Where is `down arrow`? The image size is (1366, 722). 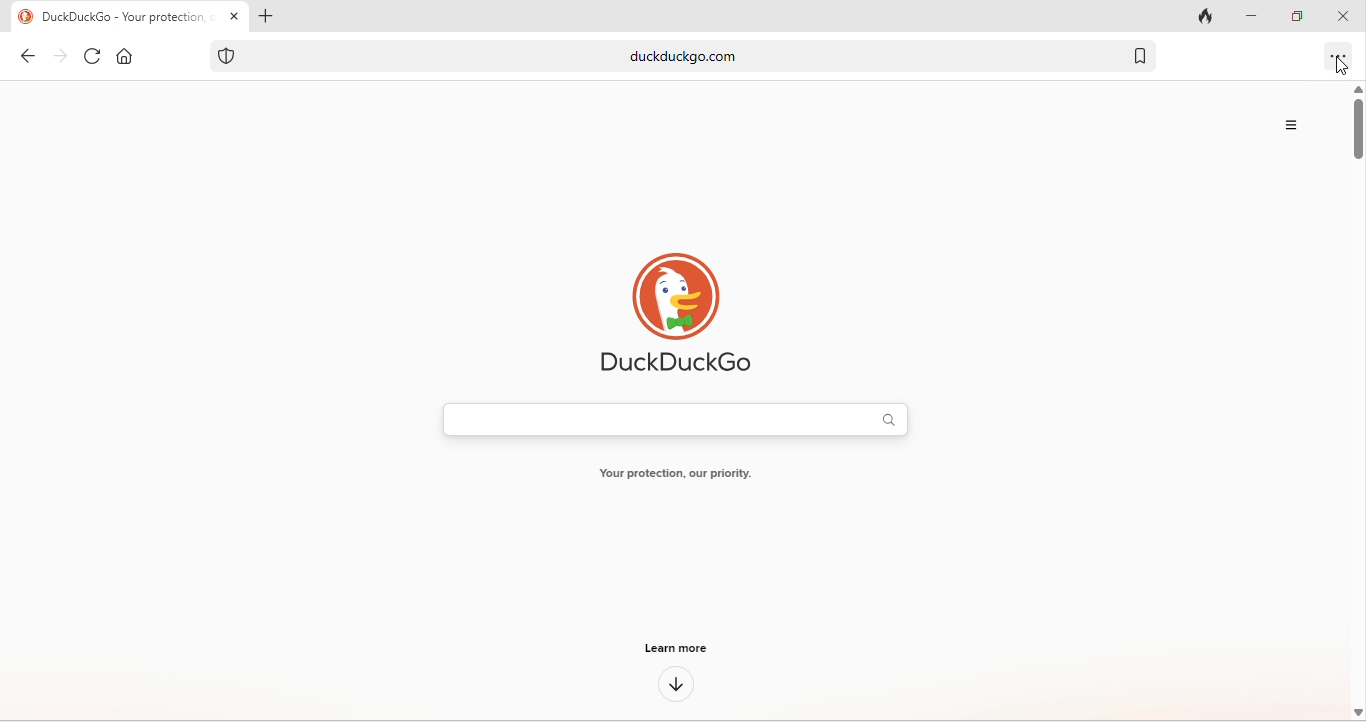
down arrow is located at coordinates (677, 680).